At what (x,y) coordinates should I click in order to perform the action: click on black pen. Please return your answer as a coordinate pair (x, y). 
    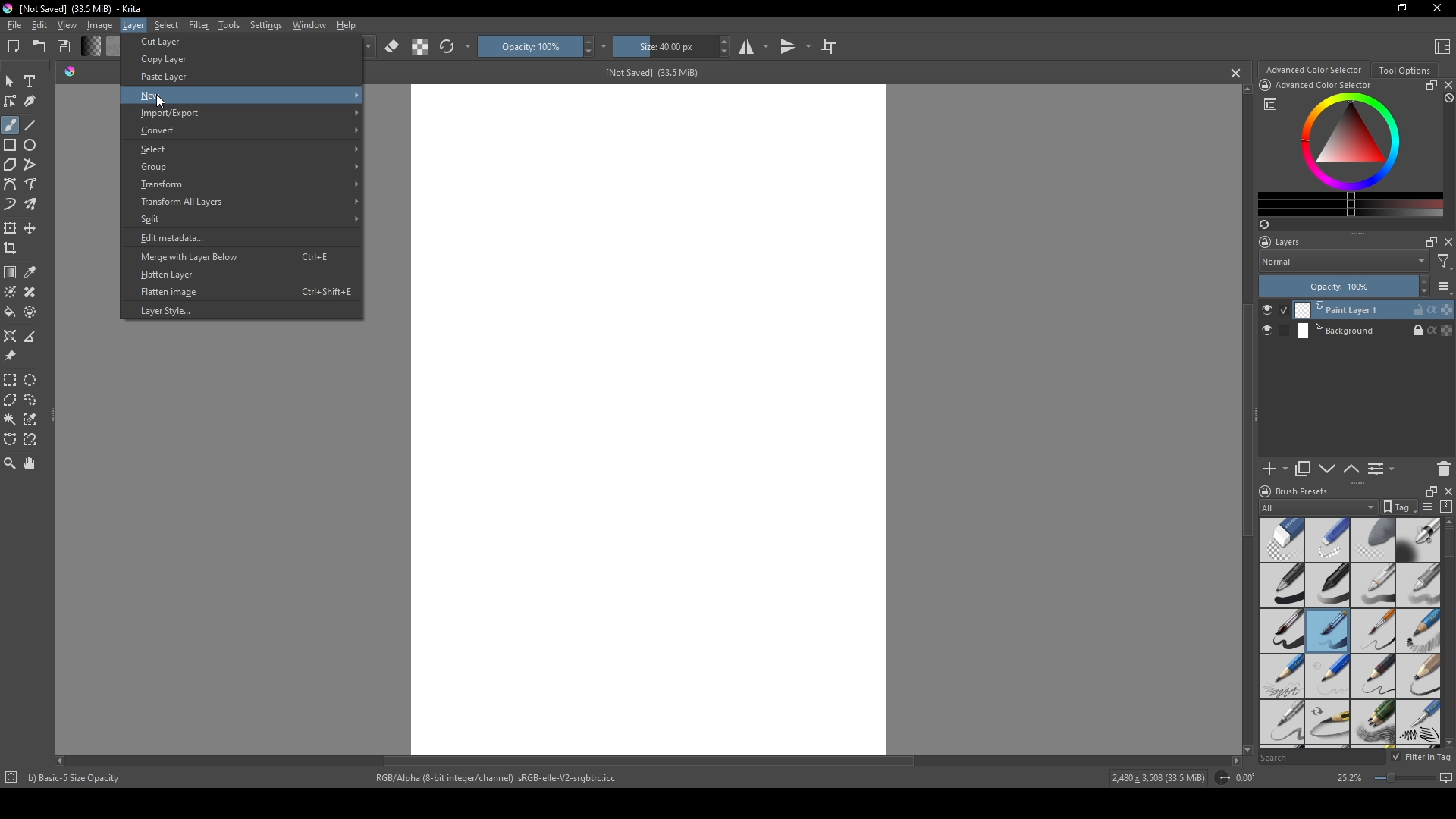
    Looking at the image, I should click on (1328, 585).